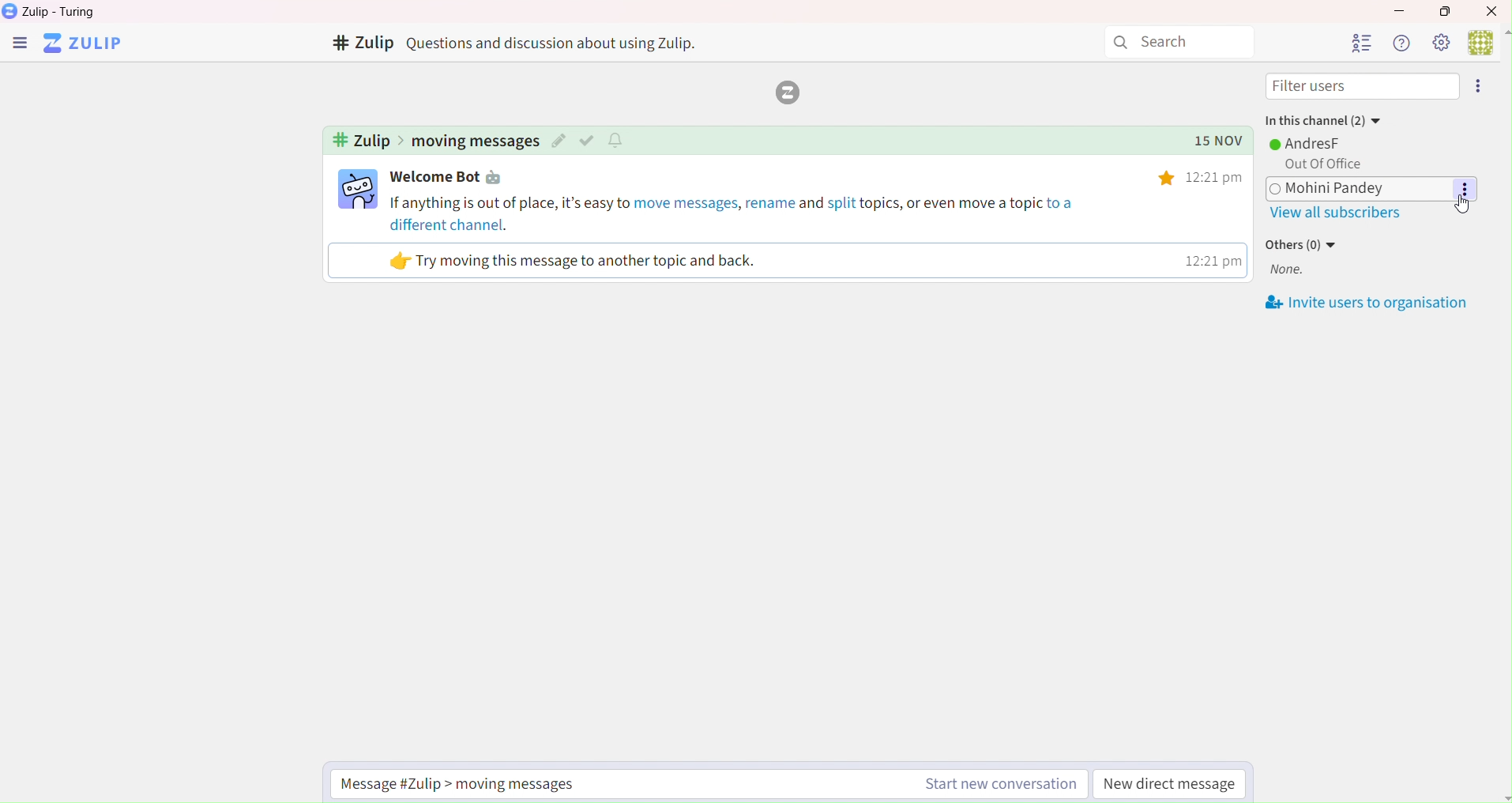  Describe the element at coordinates (559, 141) in the screenshot. I see `edit` at that location.